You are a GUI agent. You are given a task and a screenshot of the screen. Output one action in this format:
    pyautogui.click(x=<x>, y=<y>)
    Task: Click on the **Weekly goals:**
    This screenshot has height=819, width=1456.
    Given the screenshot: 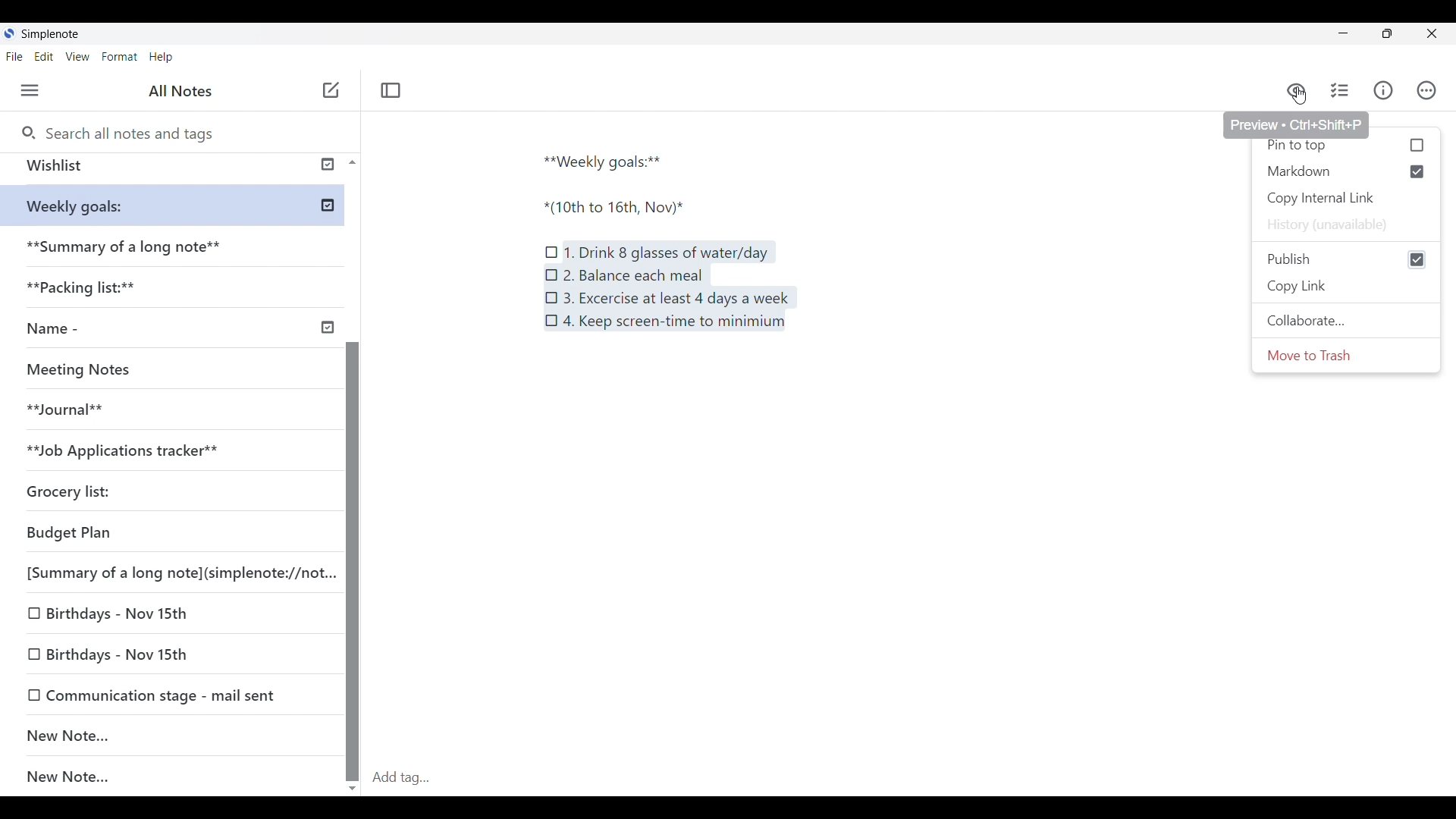 What is the action you would take?
    pyautogui.click(x=184, y=206)
    